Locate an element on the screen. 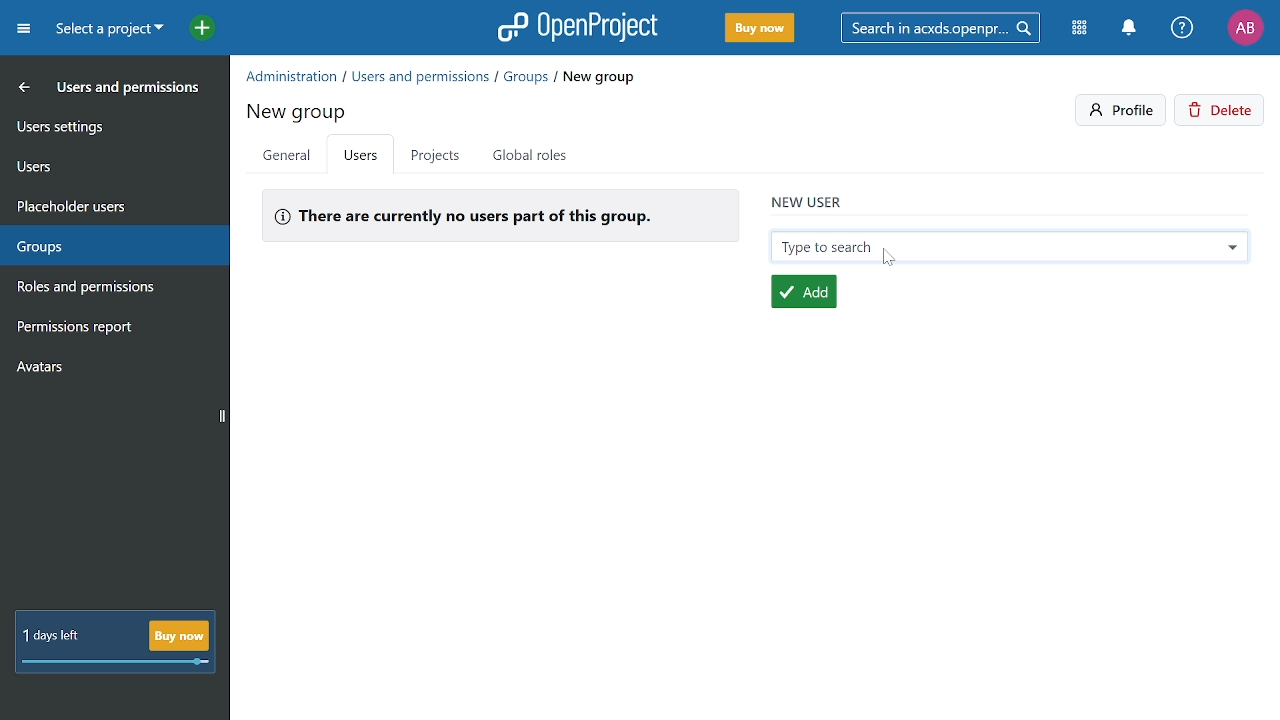 This screenshot has height=720, width=1280. Current project is located at coordinates (107, 31).